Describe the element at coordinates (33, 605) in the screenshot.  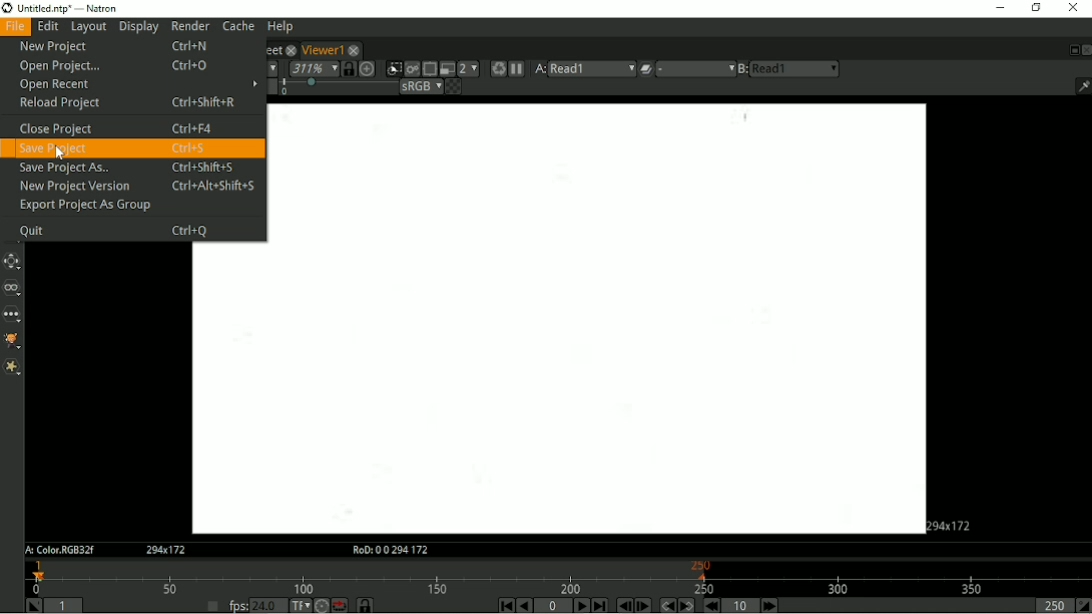
I see `Set playback in point` at that location.